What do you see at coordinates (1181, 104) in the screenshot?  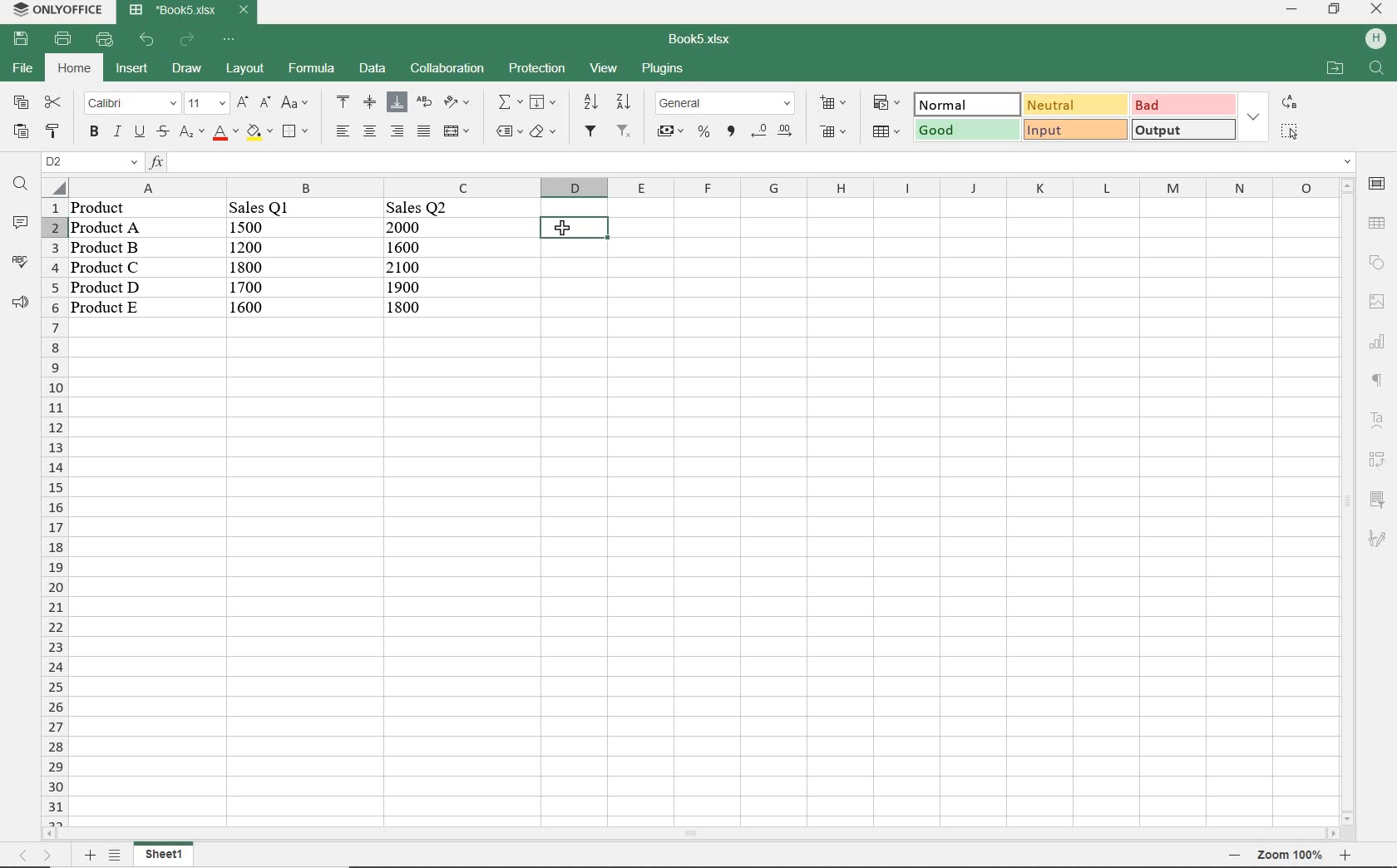 I see `bad` at bounding box center [1181, 104].